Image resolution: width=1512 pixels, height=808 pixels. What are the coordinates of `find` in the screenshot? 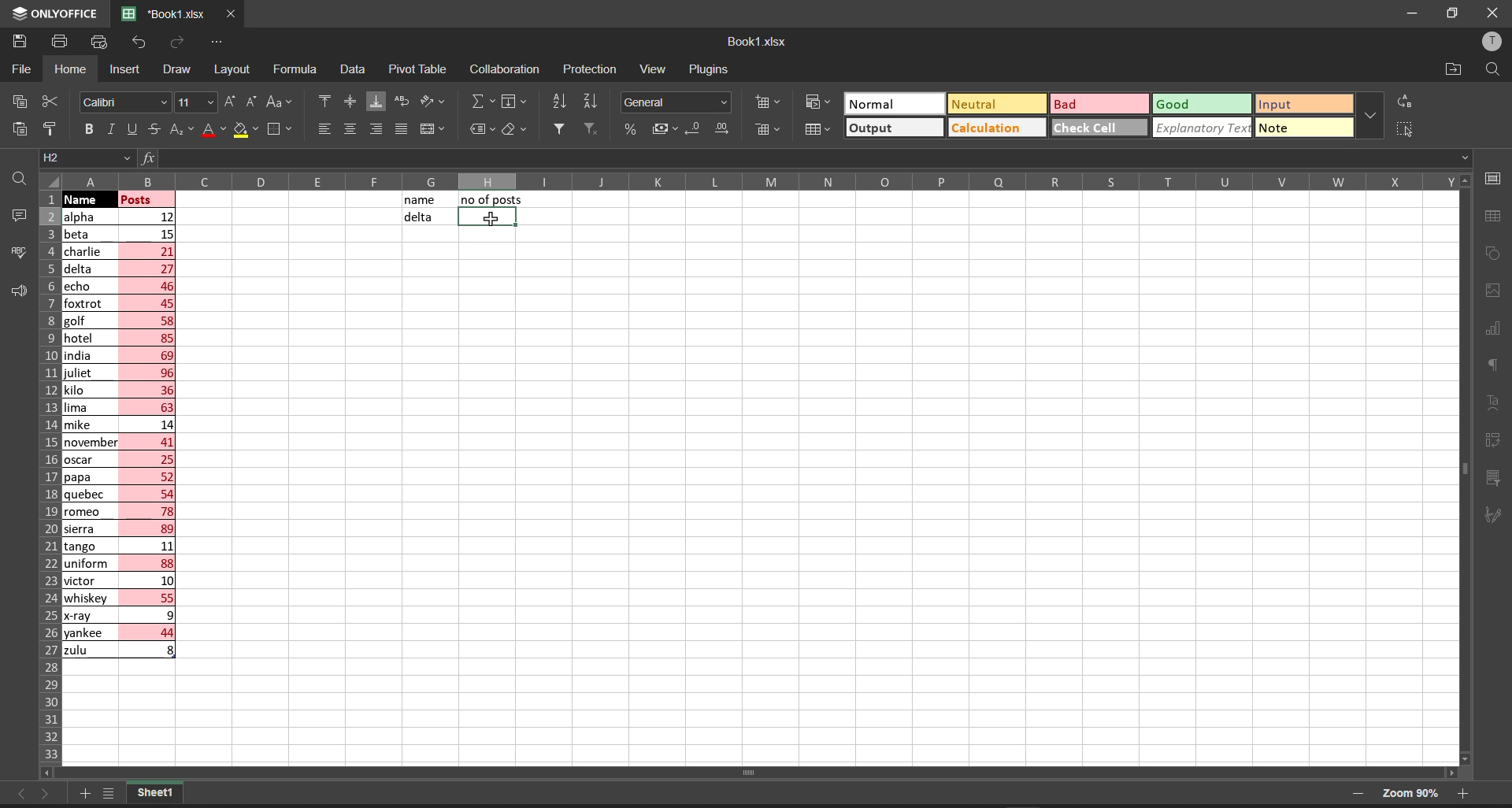 It's located at (1495, 69).